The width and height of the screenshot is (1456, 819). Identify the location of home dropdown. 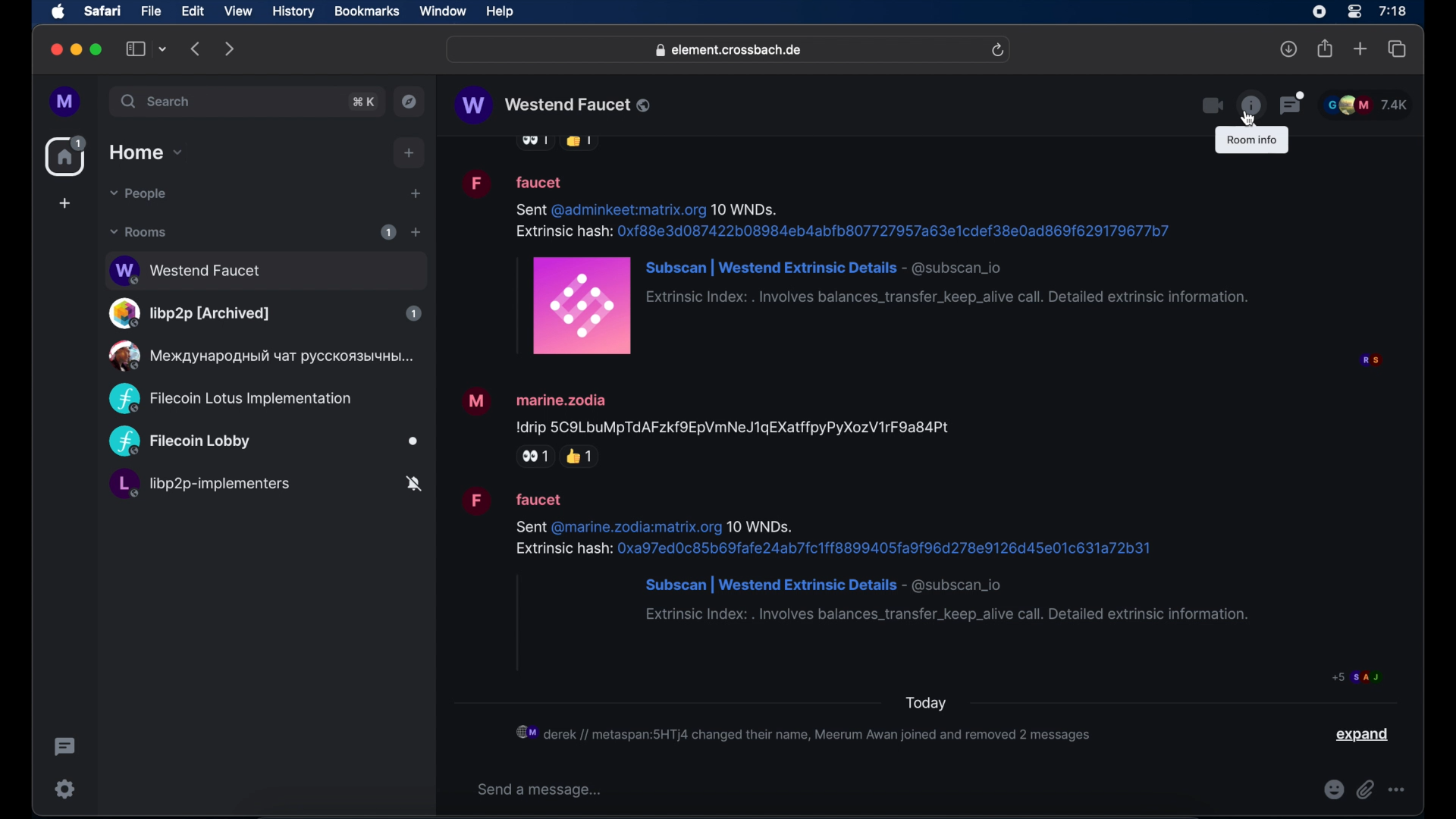
(146, 152).